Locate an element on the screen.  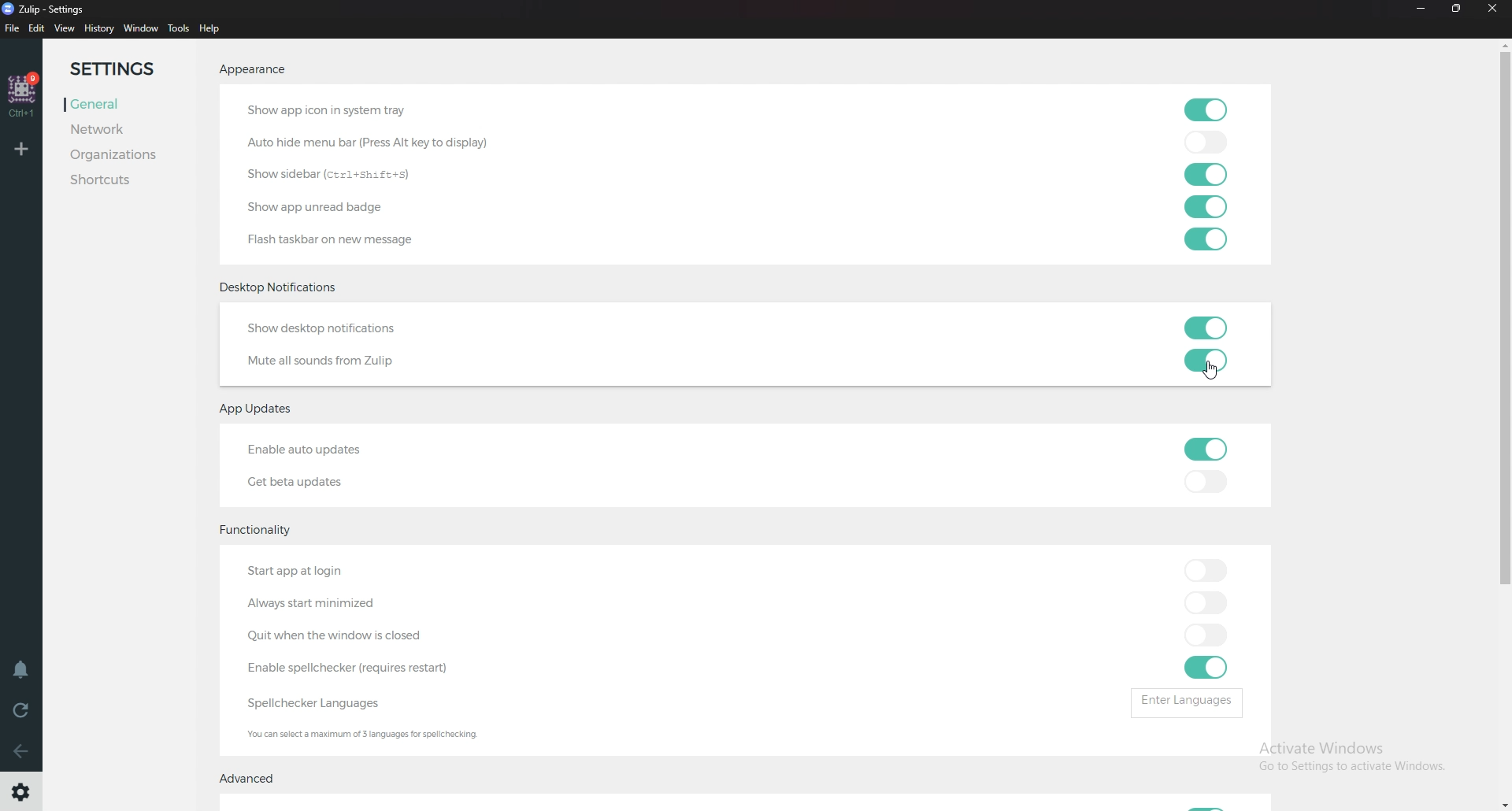
toggle is located at coordinates (1207, 324).